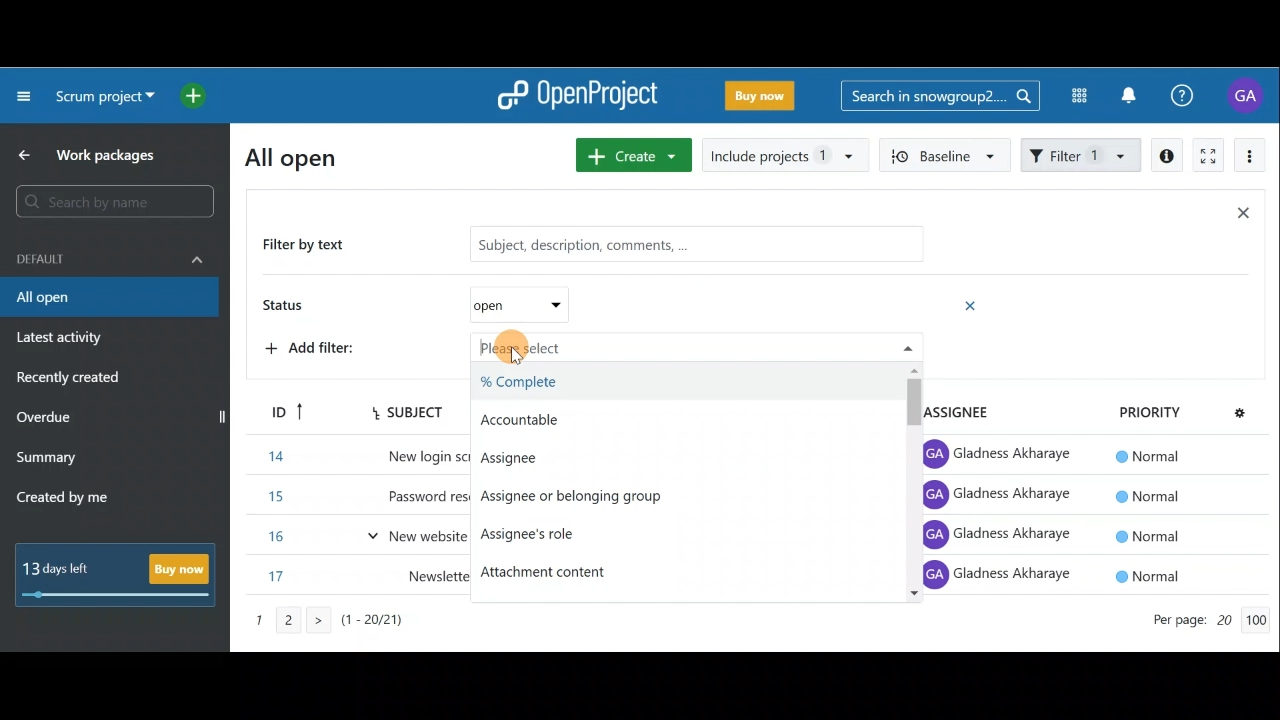 The image size is (1280, 720). I want to click on Help, so click(1193, 96).